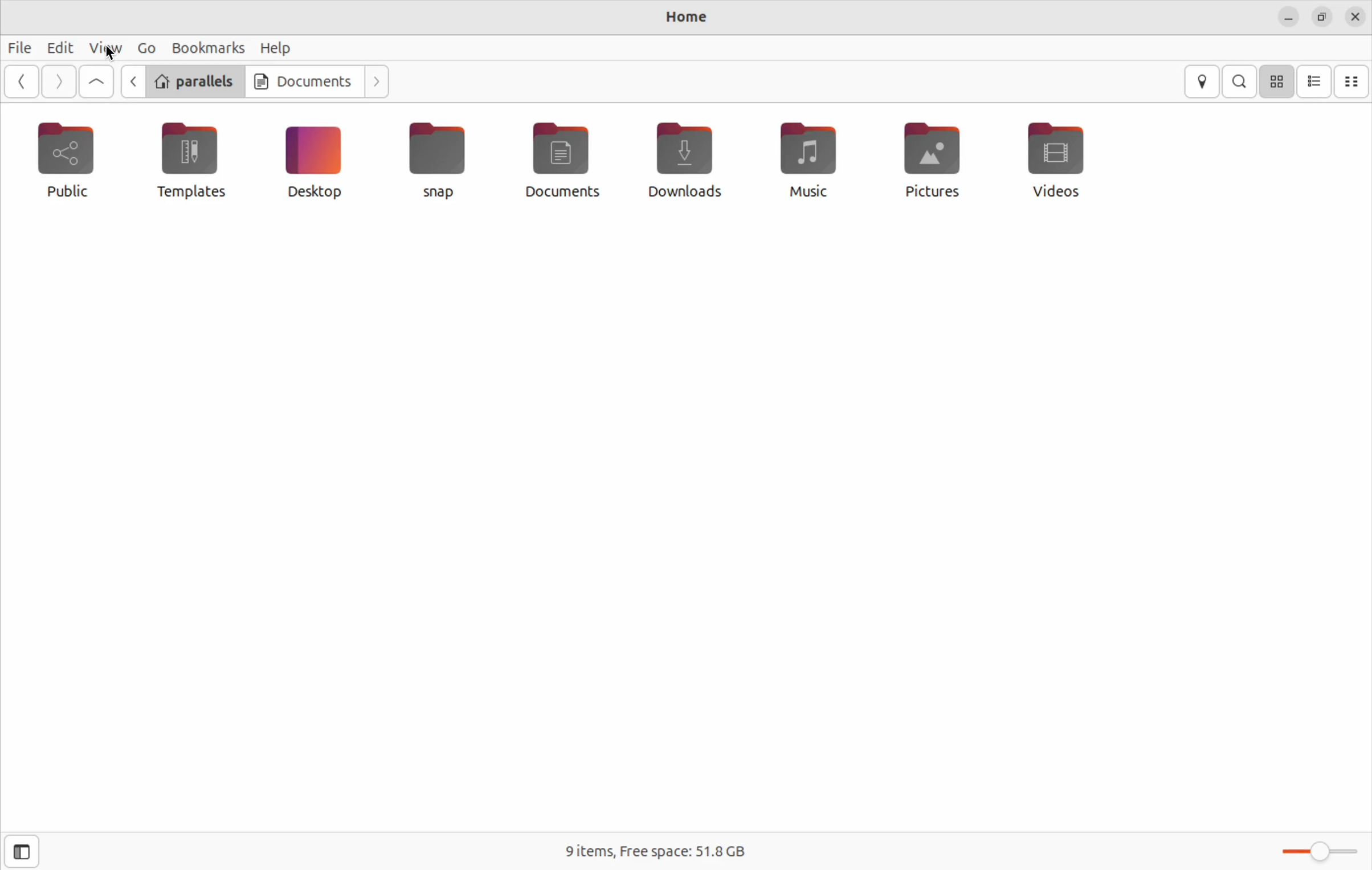 This screenshot has width=1372, height=870. Describe the element at coordinates (96, 82) in the screenshot. I see `Go up` at that location.